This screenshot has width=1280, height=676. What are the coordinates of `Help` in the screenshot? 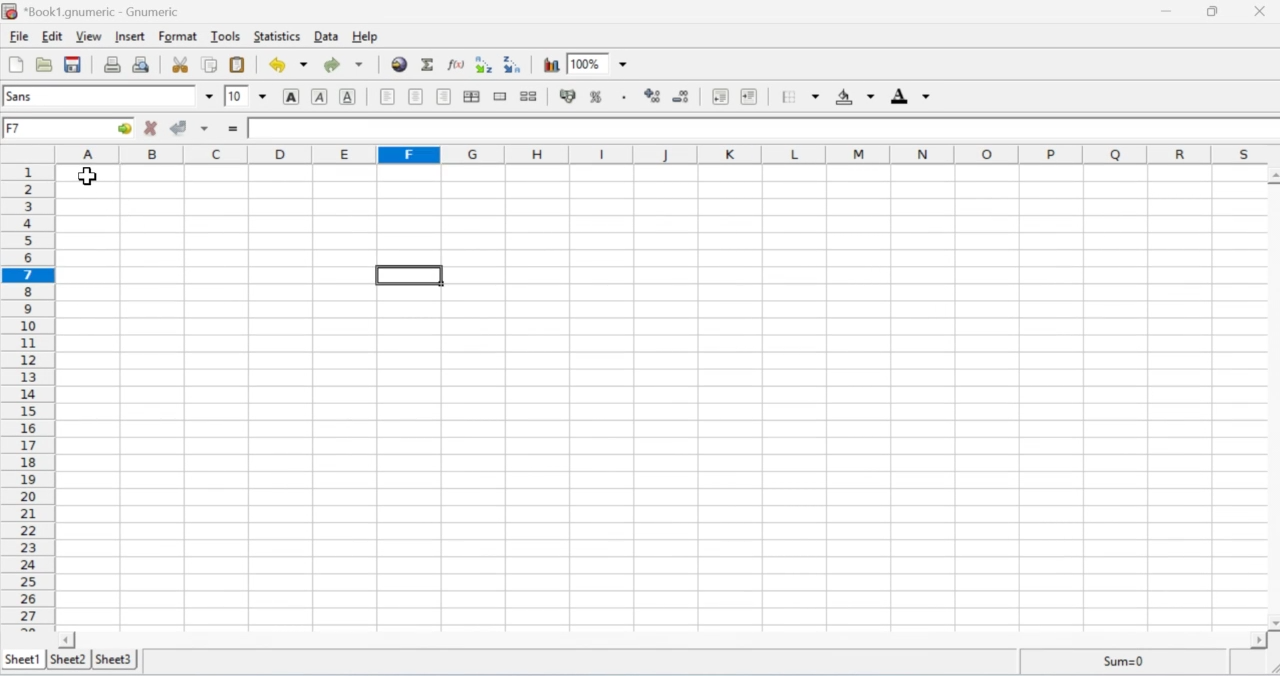 It's located at (365, 36).